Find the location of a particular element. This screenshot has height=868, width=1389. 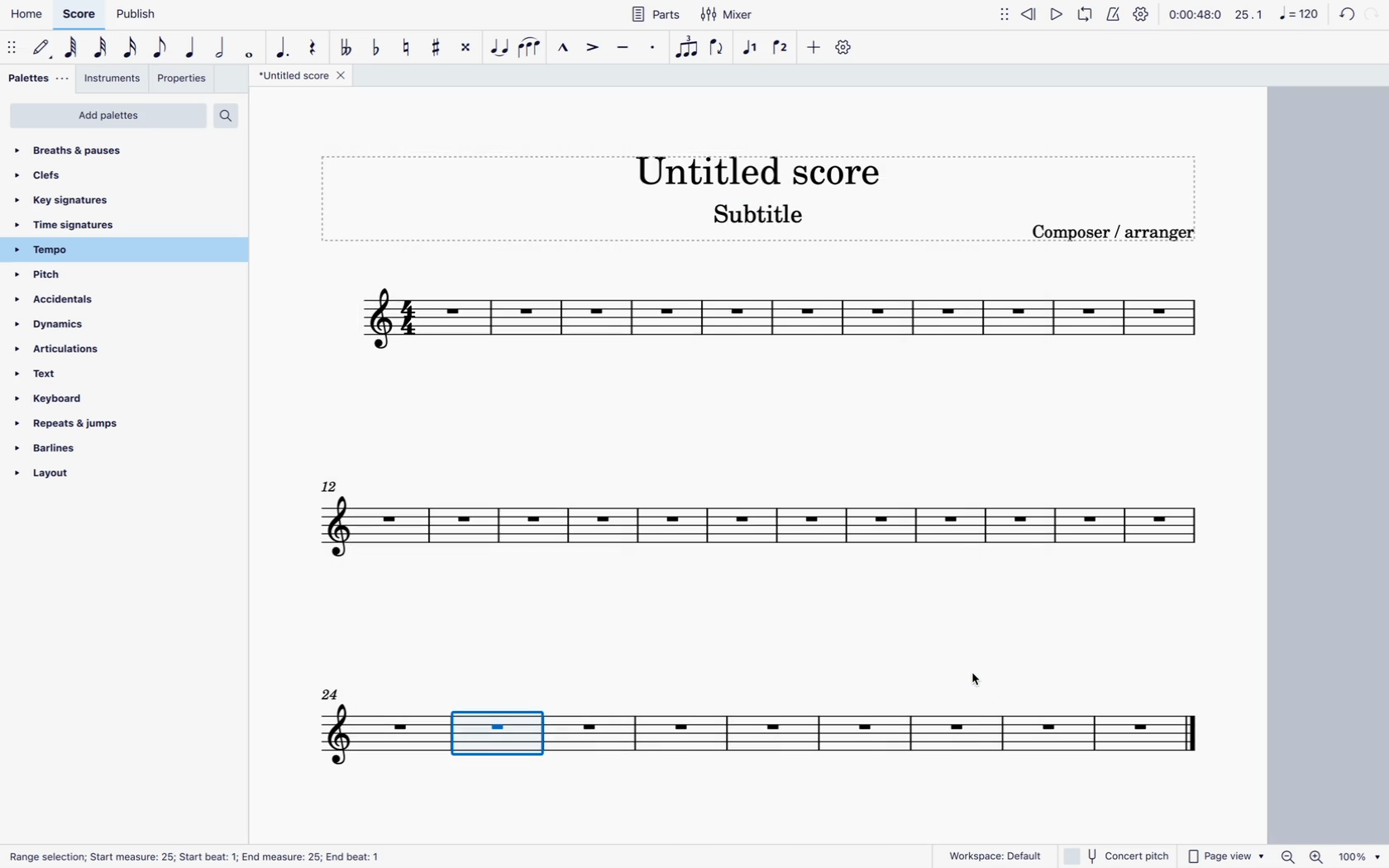

back is located at coordinates (1344, 14).